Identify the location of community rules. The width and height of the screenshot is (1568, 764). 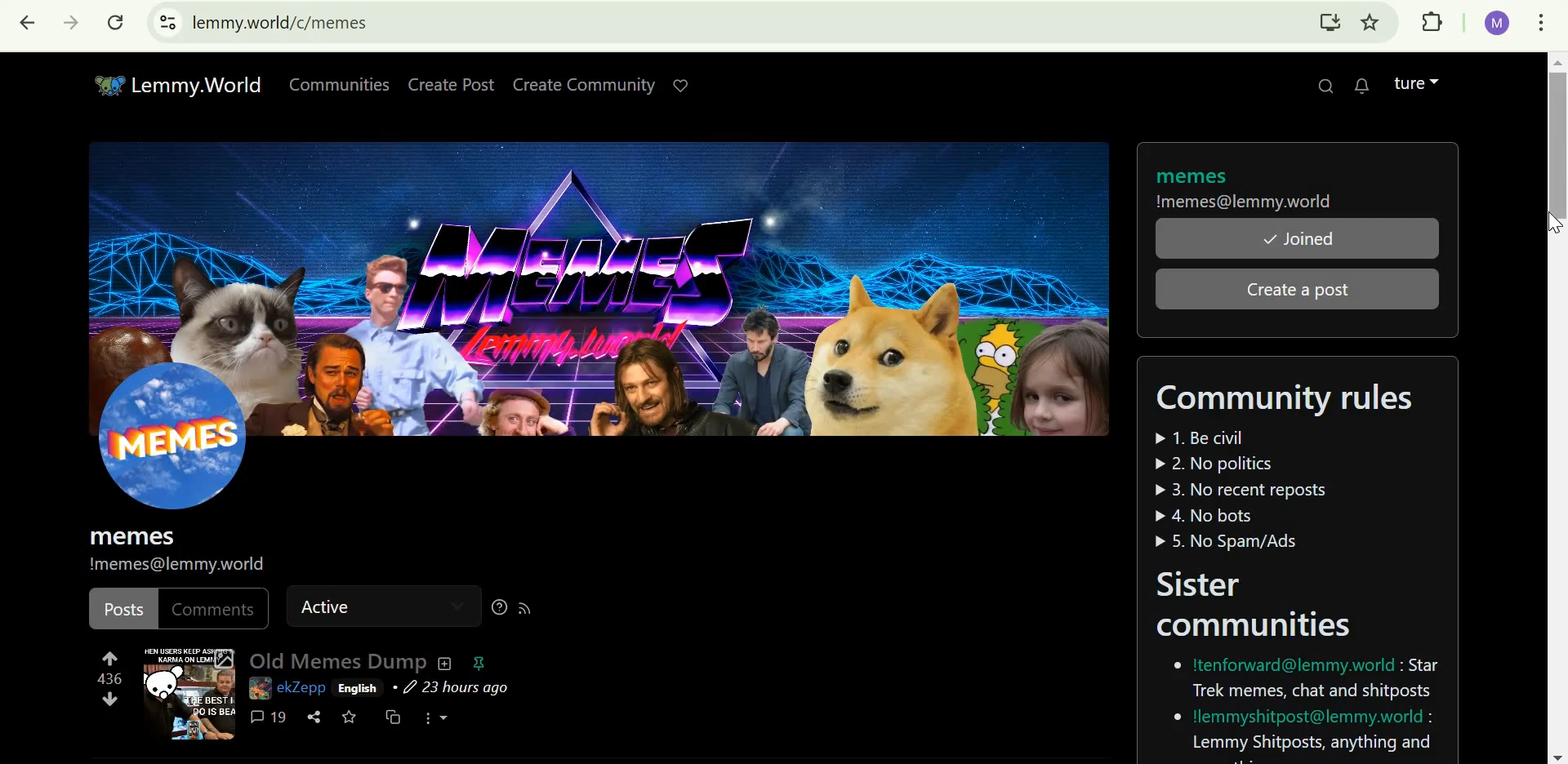
(1285, 463).